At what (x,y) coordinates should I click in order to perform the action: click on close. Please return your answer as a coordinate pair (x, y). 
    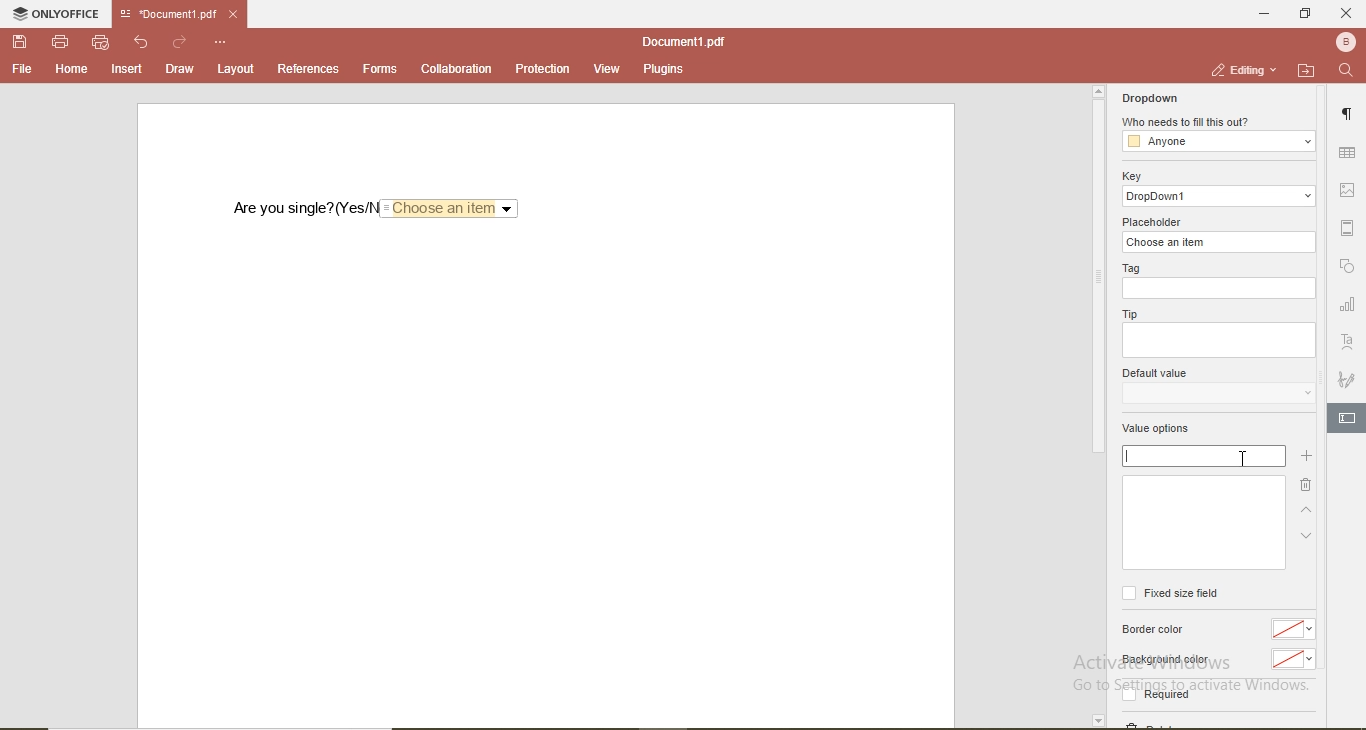
    Looking at the image, I should click on (1347, 14).